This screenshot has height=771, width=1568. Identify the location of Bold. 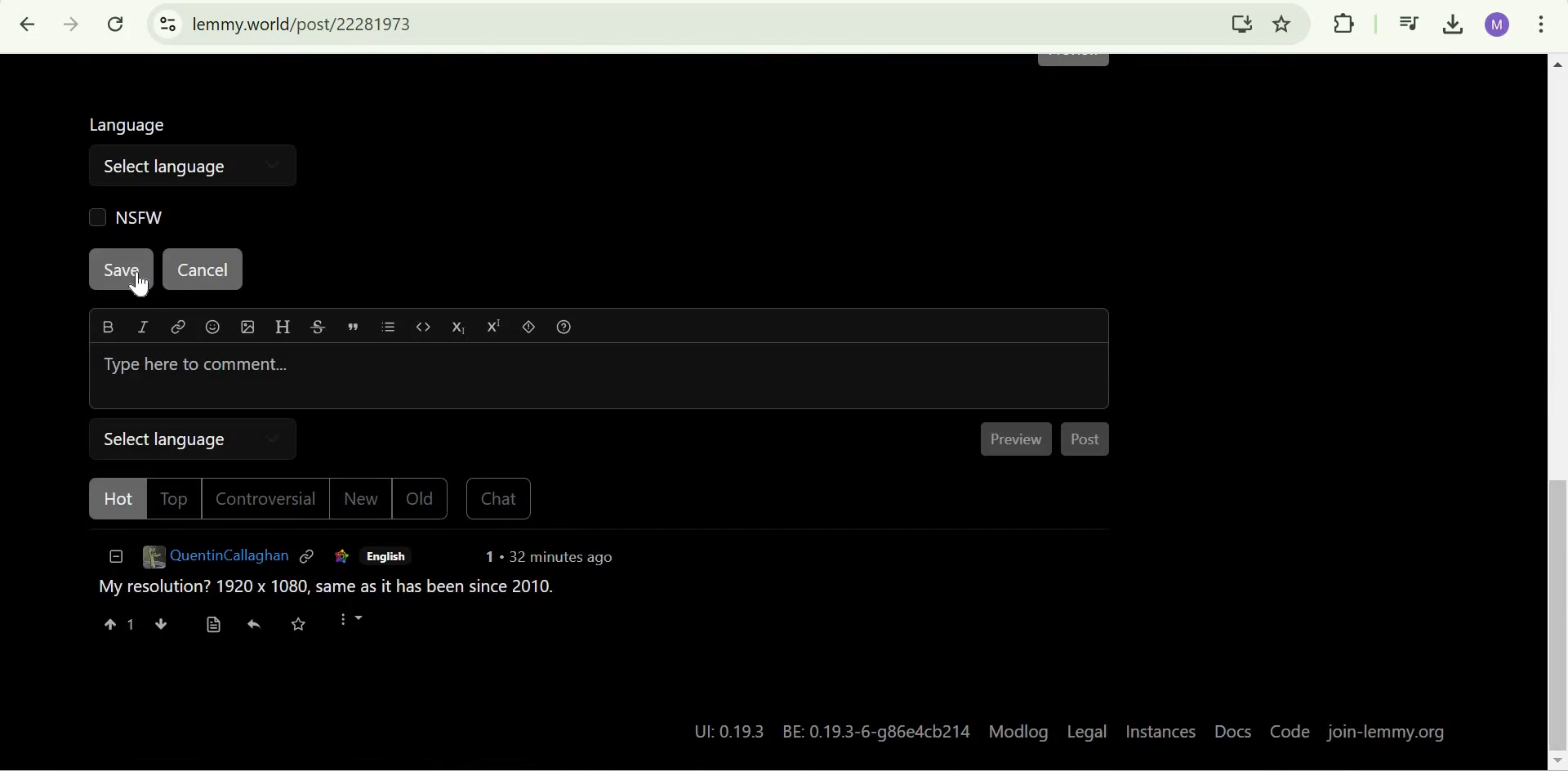
(108, 327).